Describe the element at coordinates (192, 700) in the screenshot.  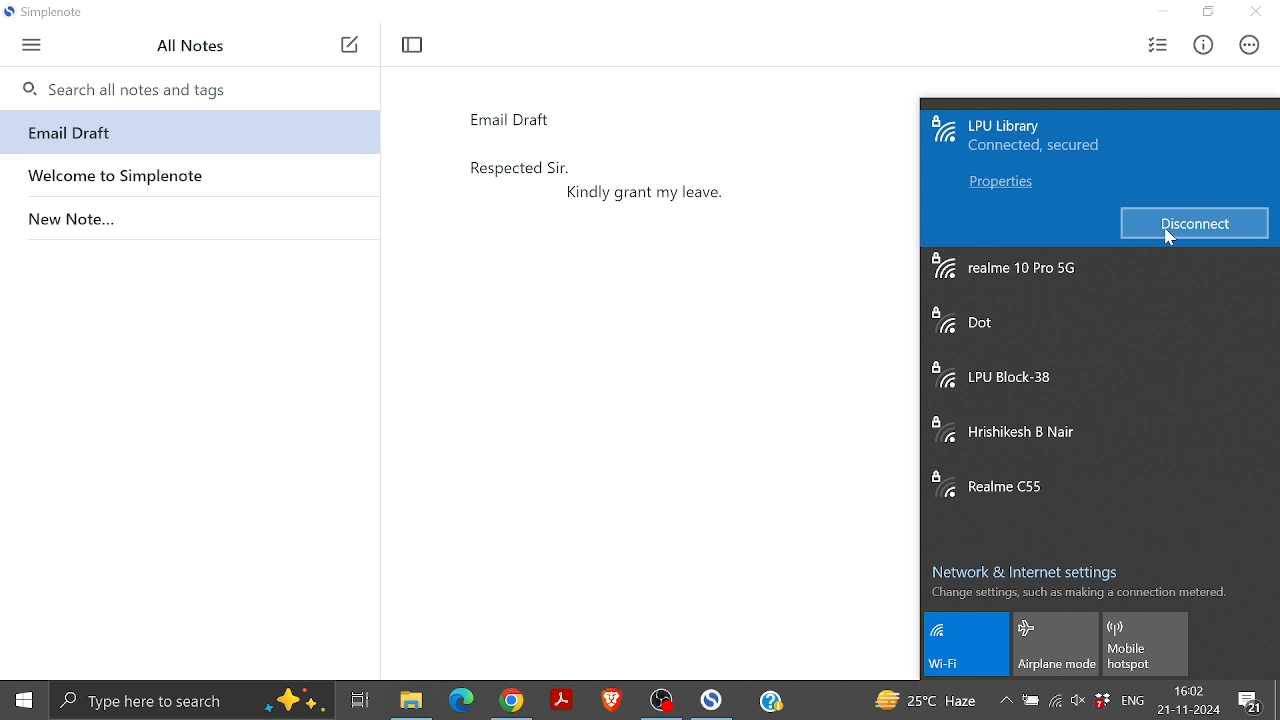
I see `Type here to serach` at that location.